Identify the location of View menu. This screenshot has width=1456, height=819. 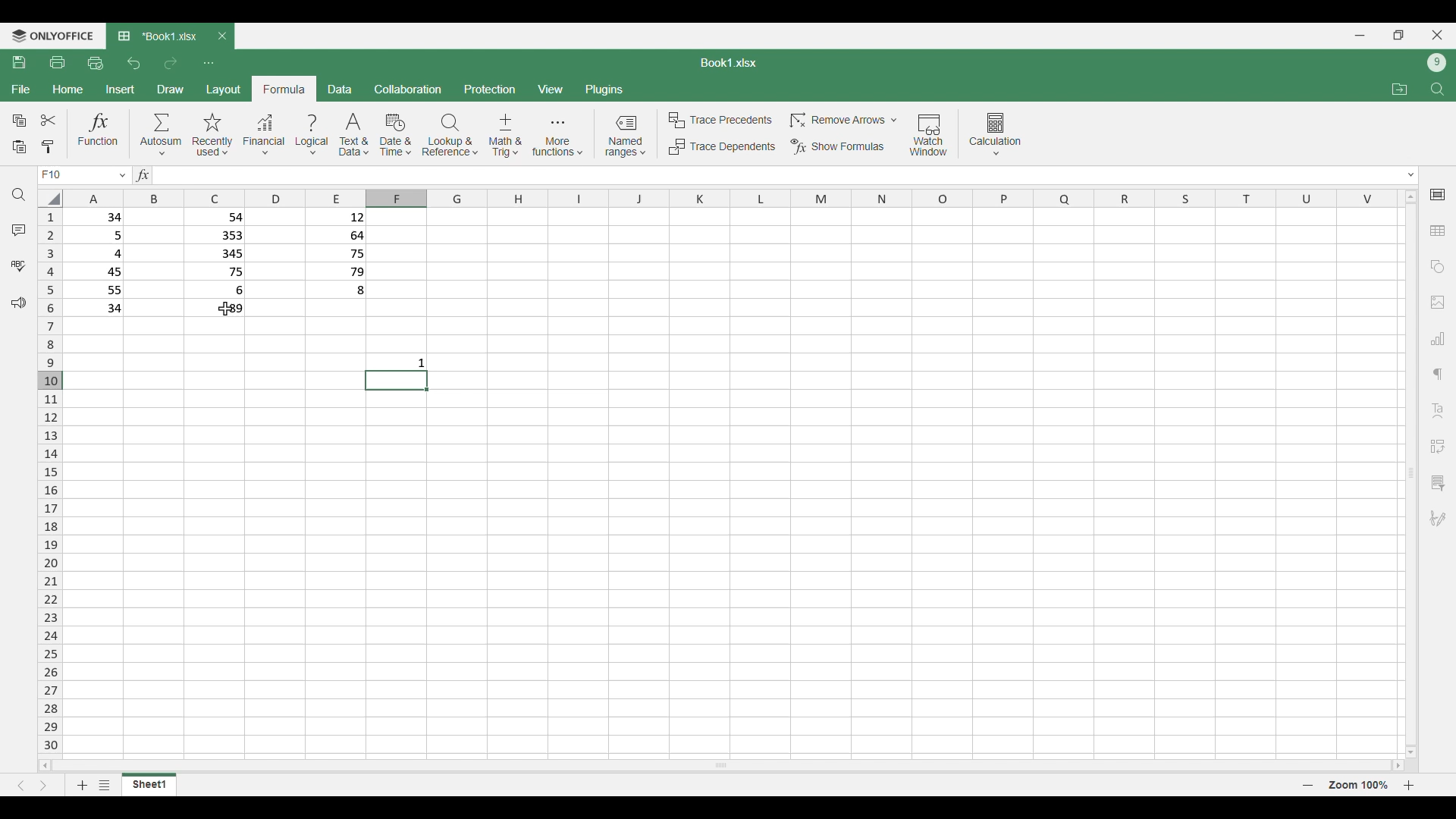
(550, 89).